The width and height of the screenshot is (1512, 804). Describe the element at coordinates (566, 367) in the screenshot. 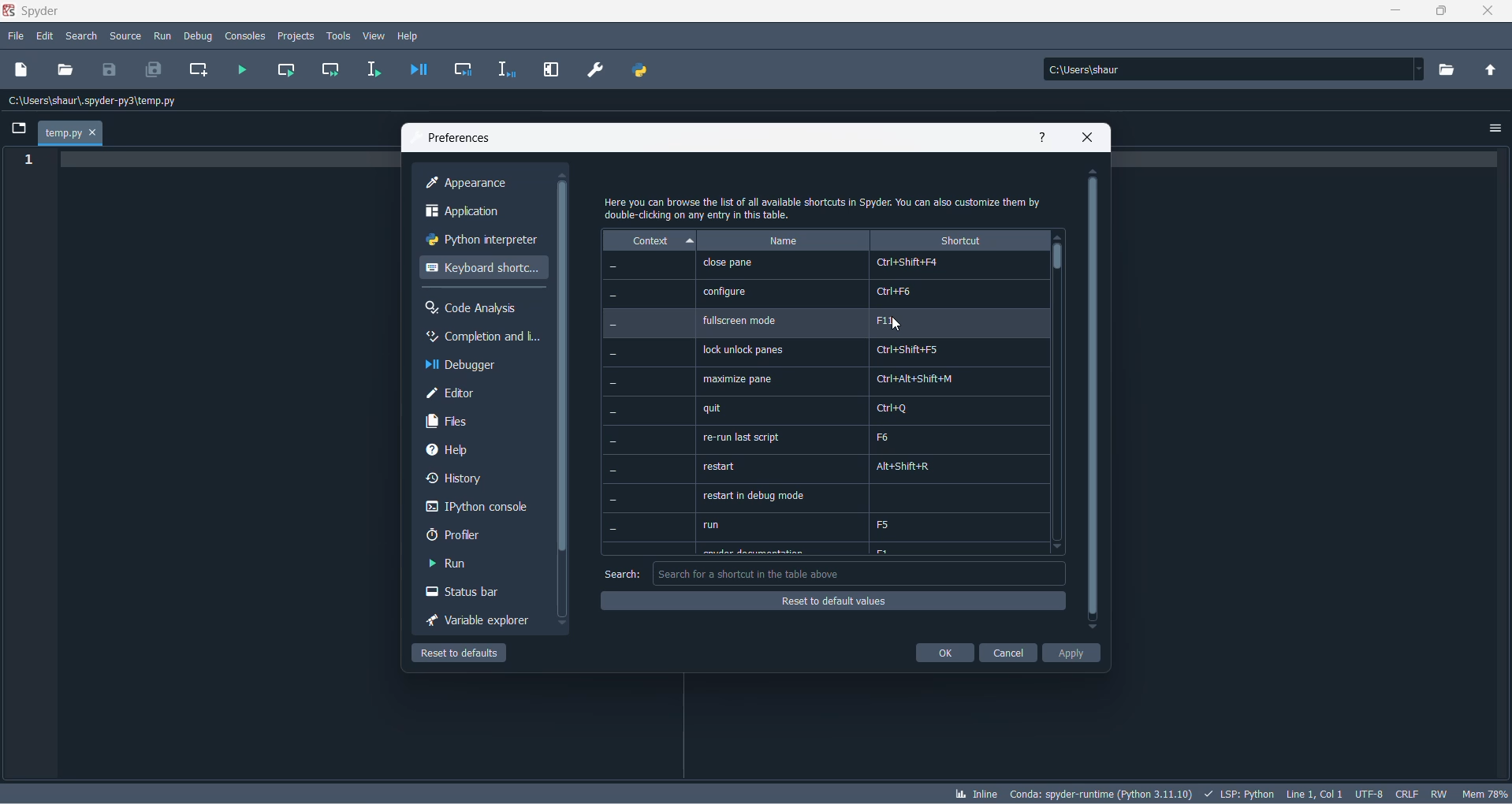

I see `scrollbar` at that location.